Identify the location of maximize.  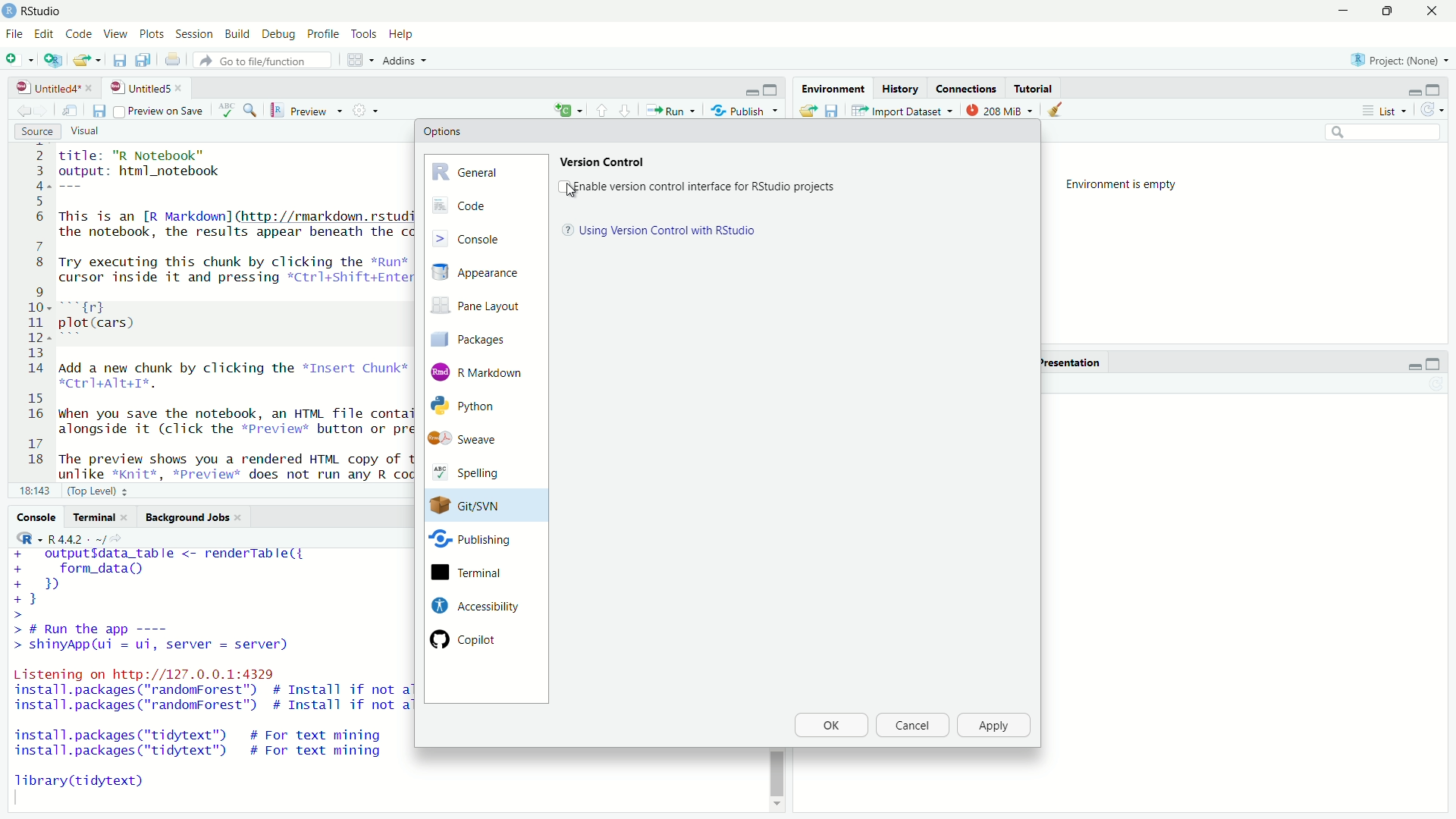
(1433, 365).